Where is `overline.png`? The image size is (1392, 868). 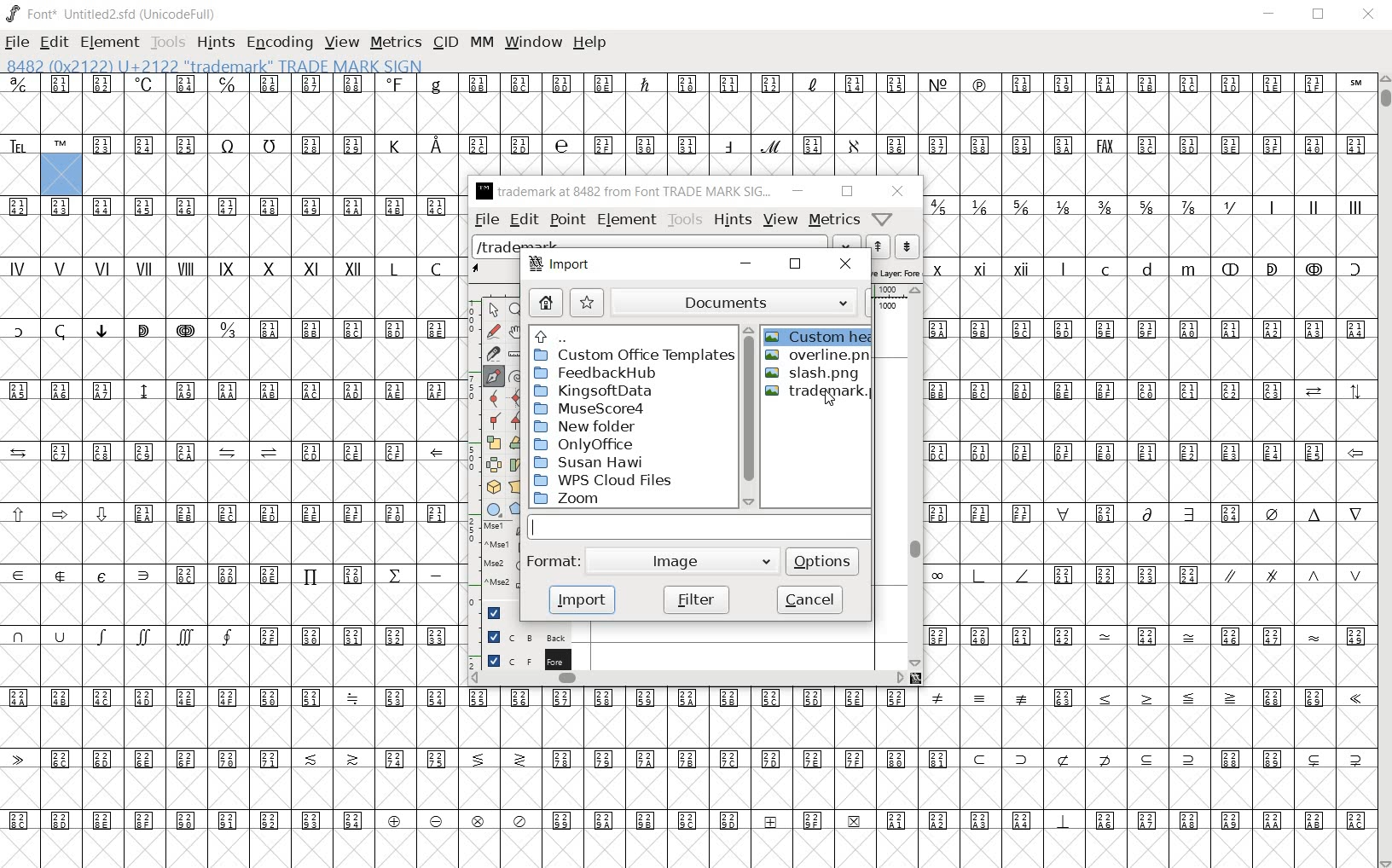
overline.png is located at coordinates (819, 356).